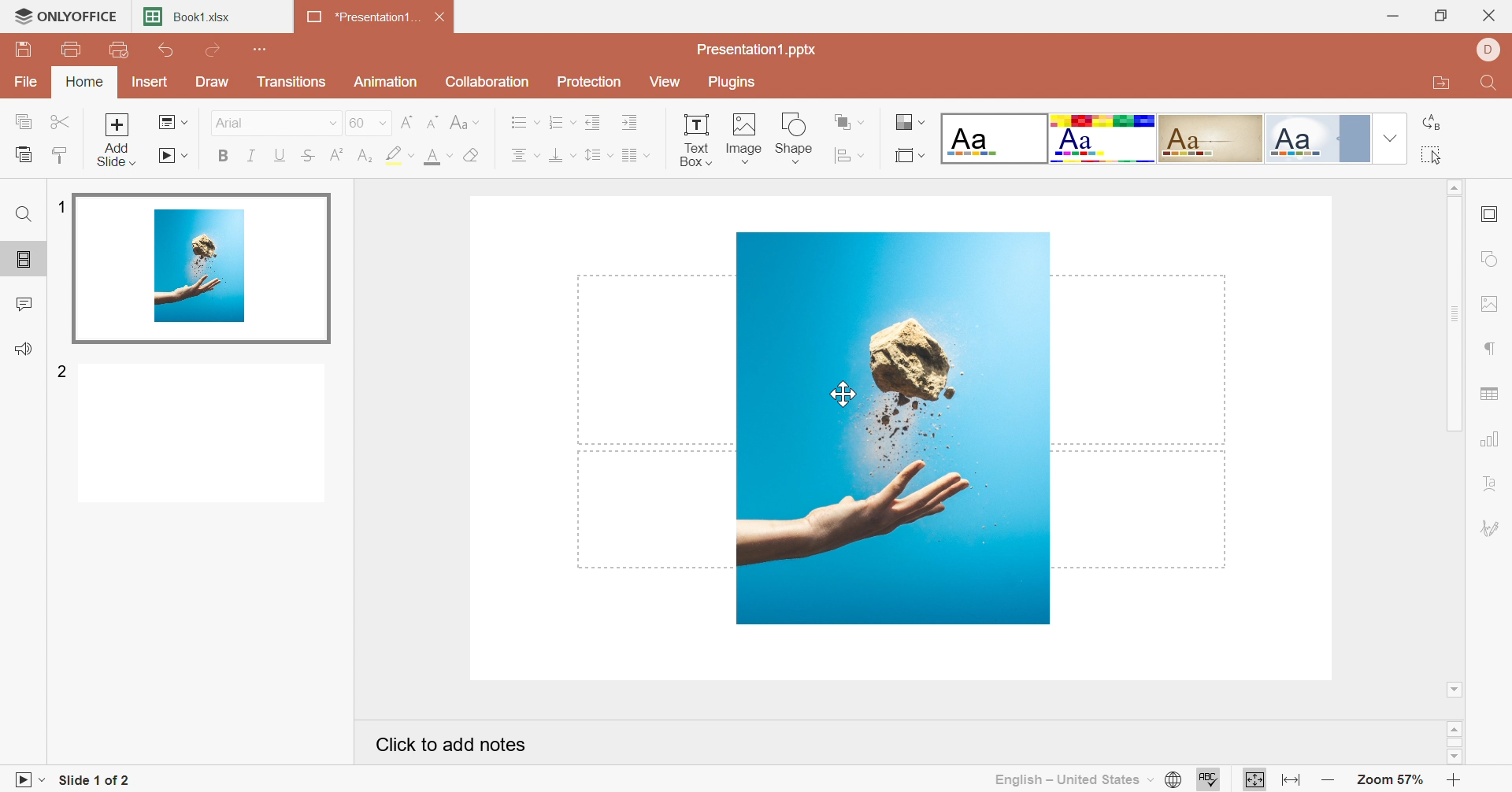 The image size is (1512, 792). I want to click on View, so click(669, 81).